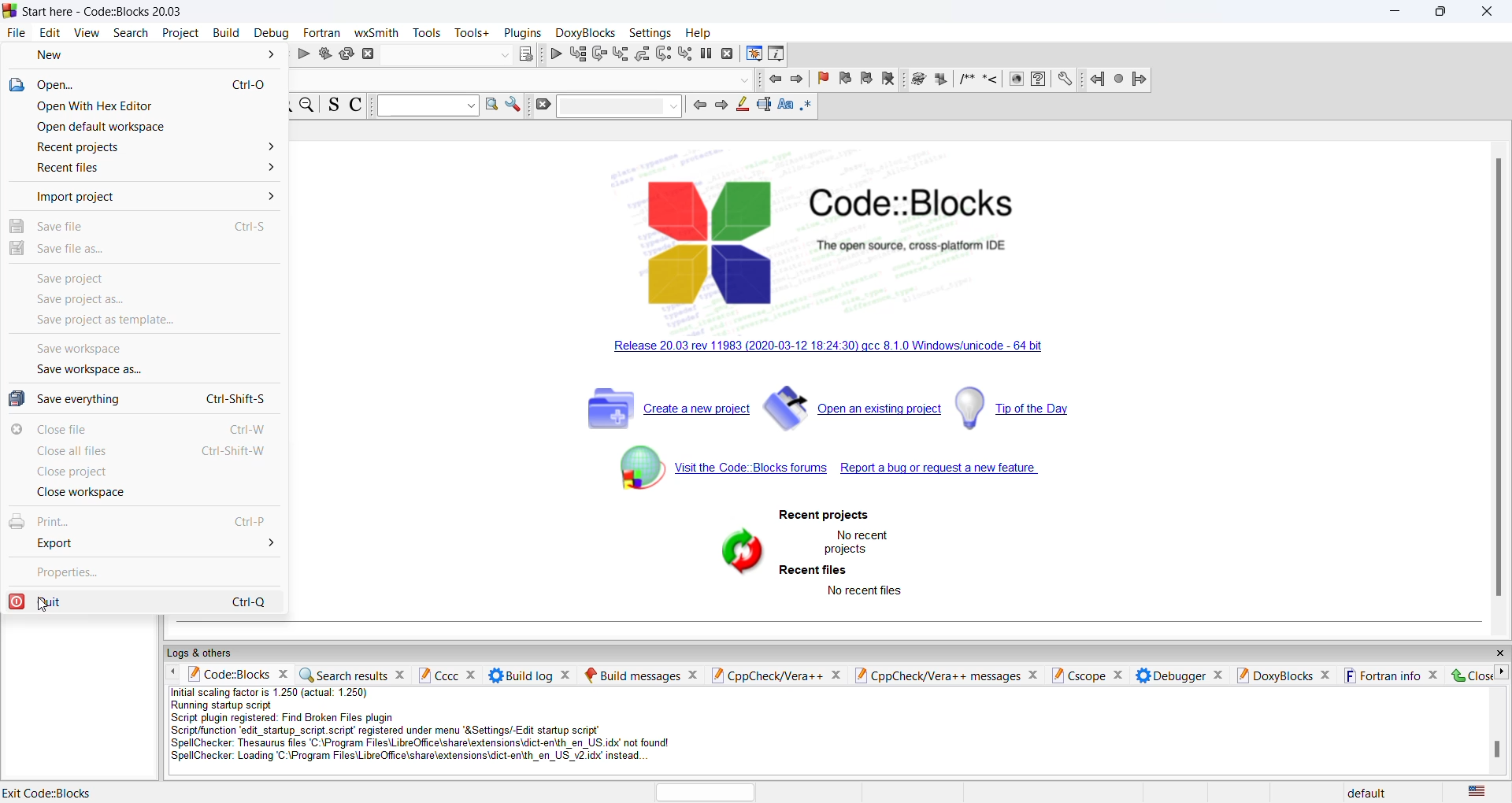  Describe the element at coordinates (865, 592) in the screenshot. I see `no recent file text` at that location.